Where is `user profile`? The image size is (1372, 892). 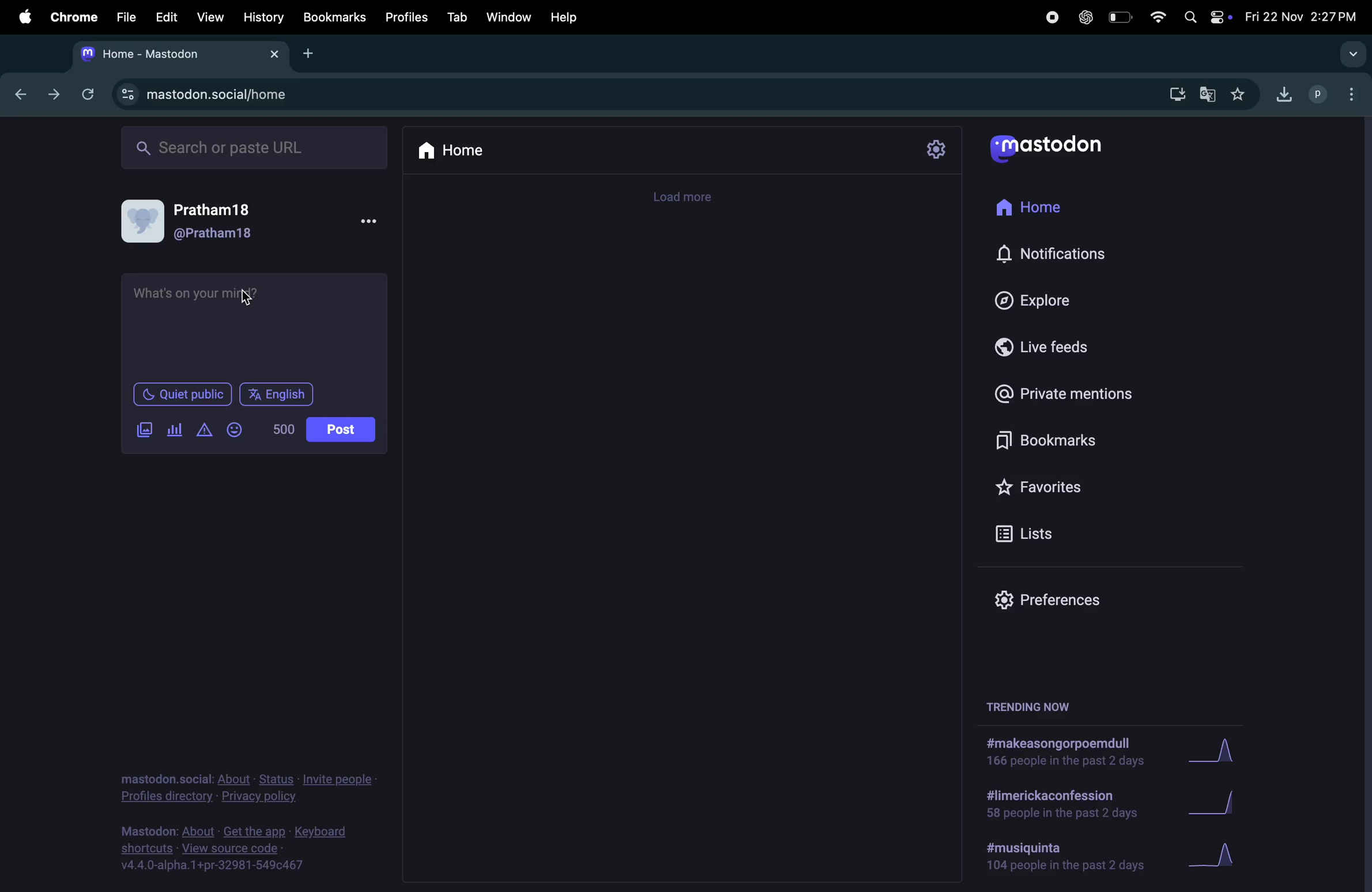
user profile is located at coordinates (142, 222).